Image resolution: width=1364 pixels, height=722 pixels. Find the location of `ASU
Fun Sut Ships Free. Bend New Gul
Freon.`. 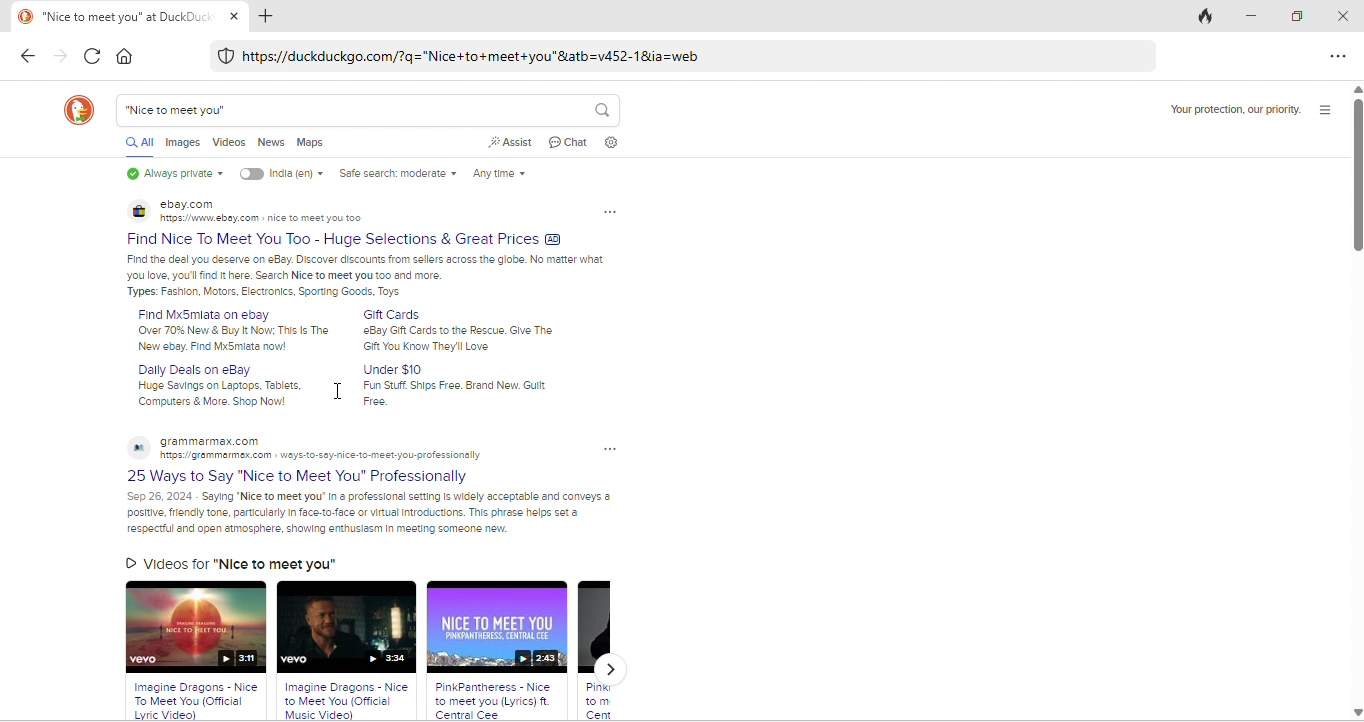

ASU
Fun Sut Ships Free. Bend New Gul
Freon. is located at coordinates (461, 394).